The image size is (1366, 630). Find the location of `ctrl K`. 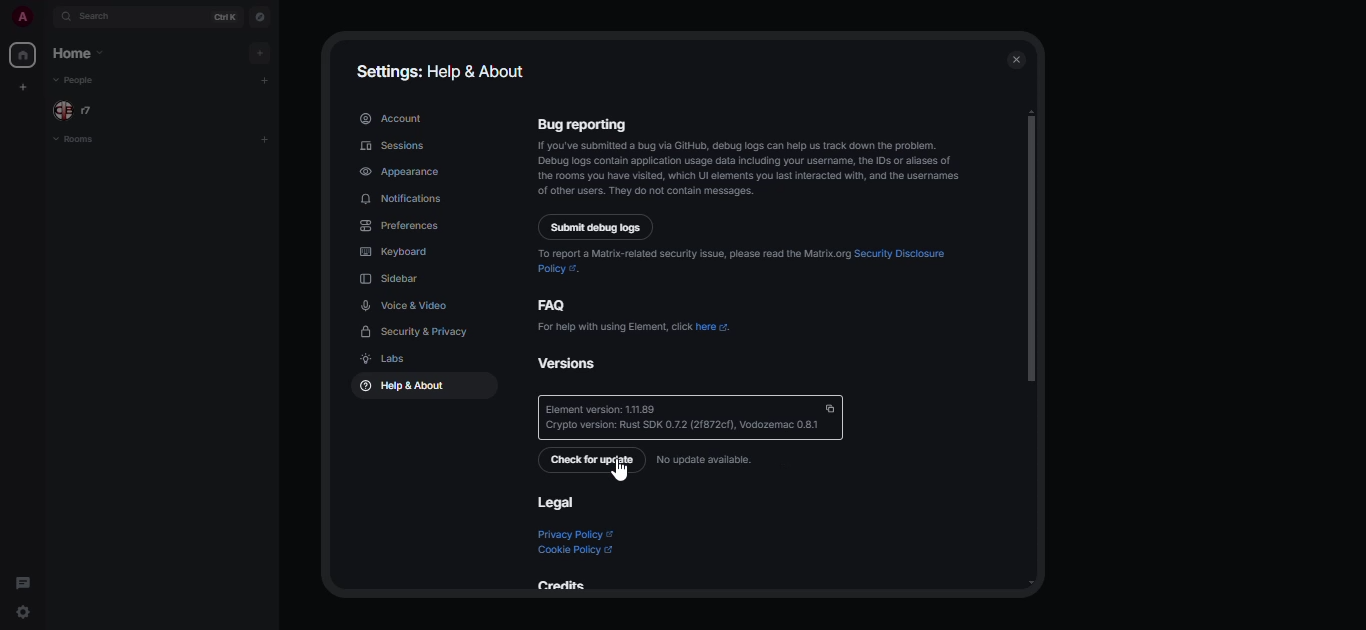

ctrl K is located at coordinates (224, 15).